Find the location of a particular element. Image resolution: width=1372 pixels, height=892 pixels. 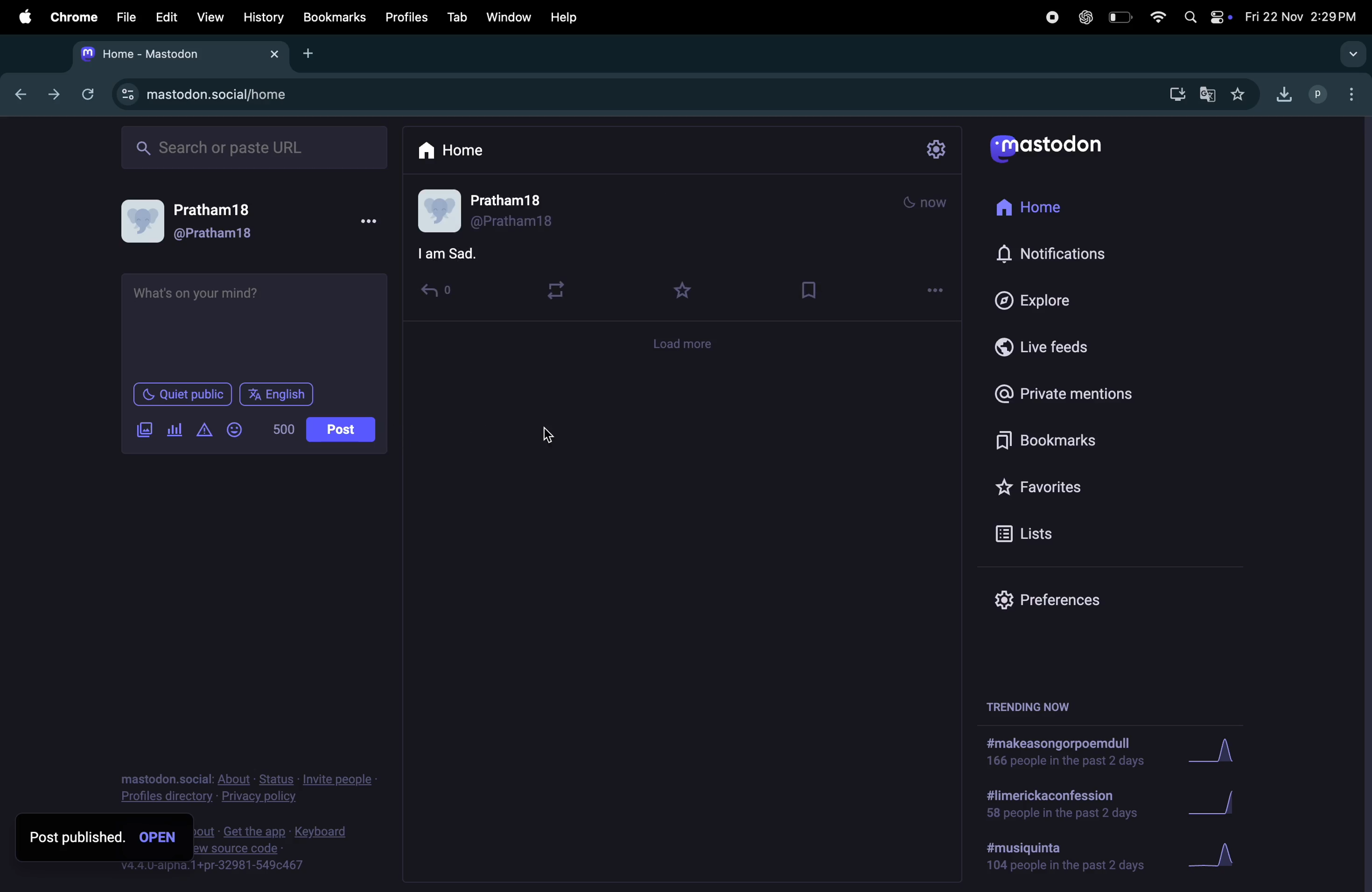

help is located at coordinates (567, 17).